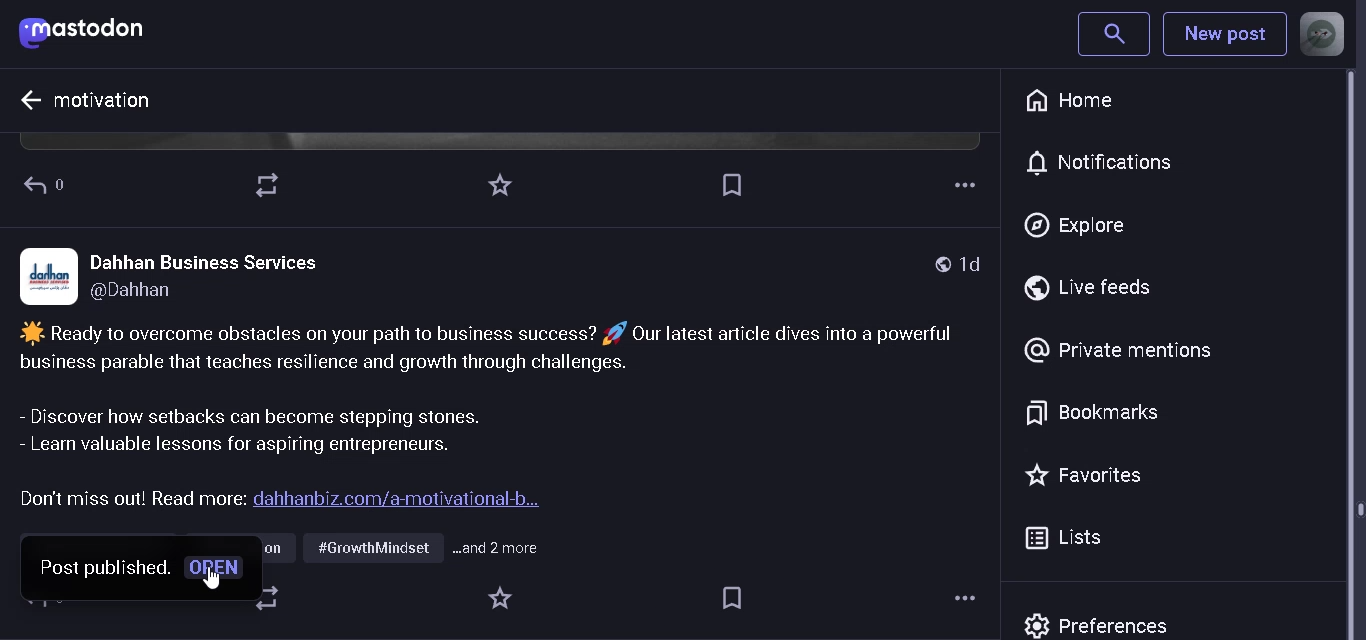  Describe the element at coordinates (967, 596) in the screenshot. I see `More` at that location.